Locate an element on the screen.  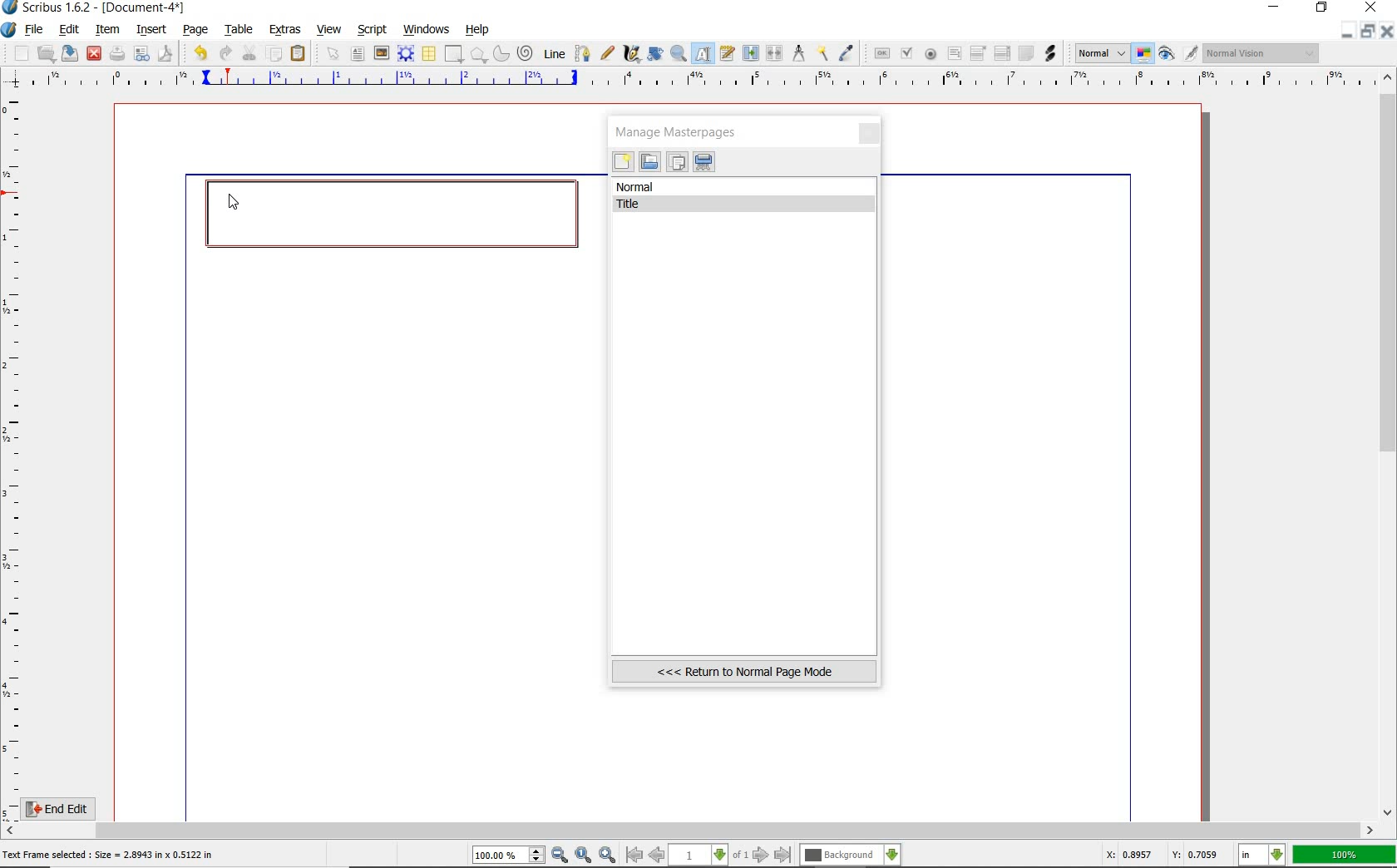
pdf text field is located at coordinates (954, 54).